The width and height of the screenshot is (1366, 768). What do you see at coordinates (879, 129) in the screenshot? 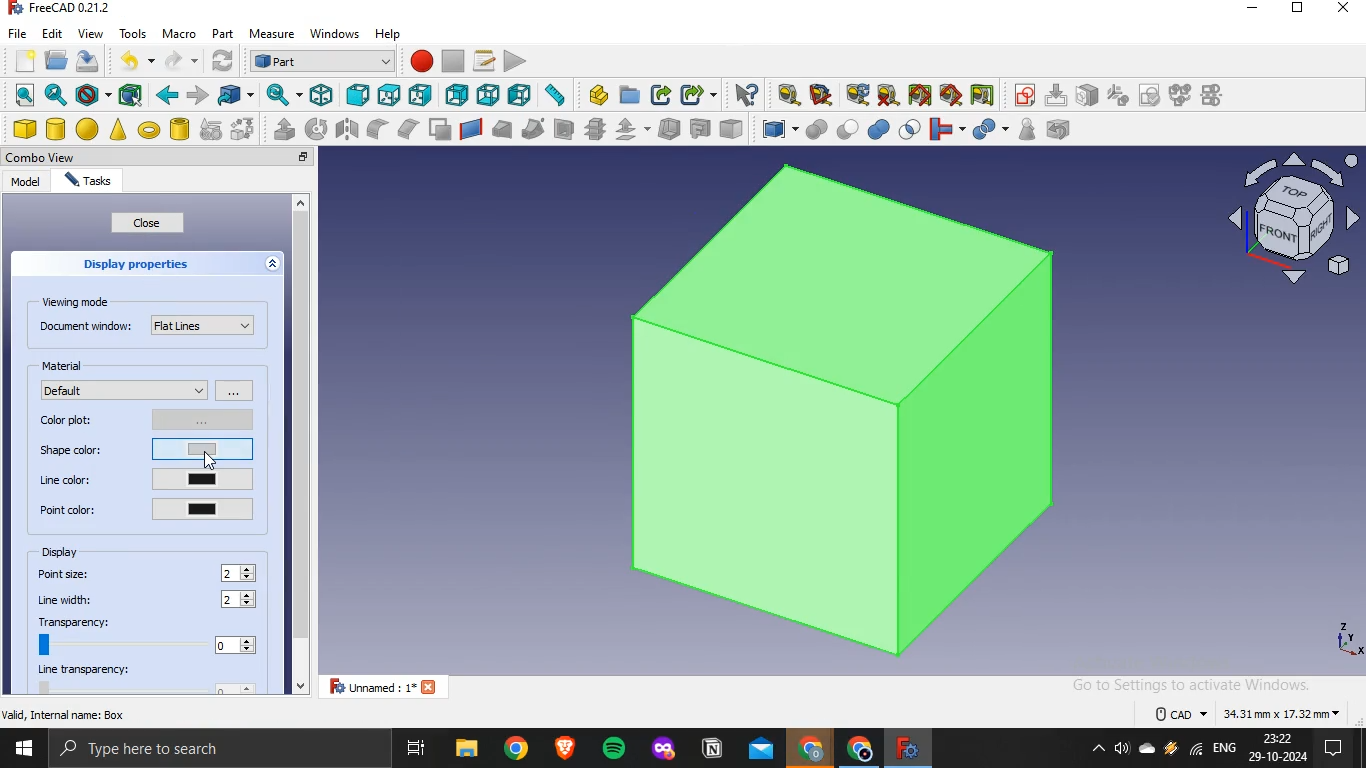
I see `union` at bounding box center [879, 129].